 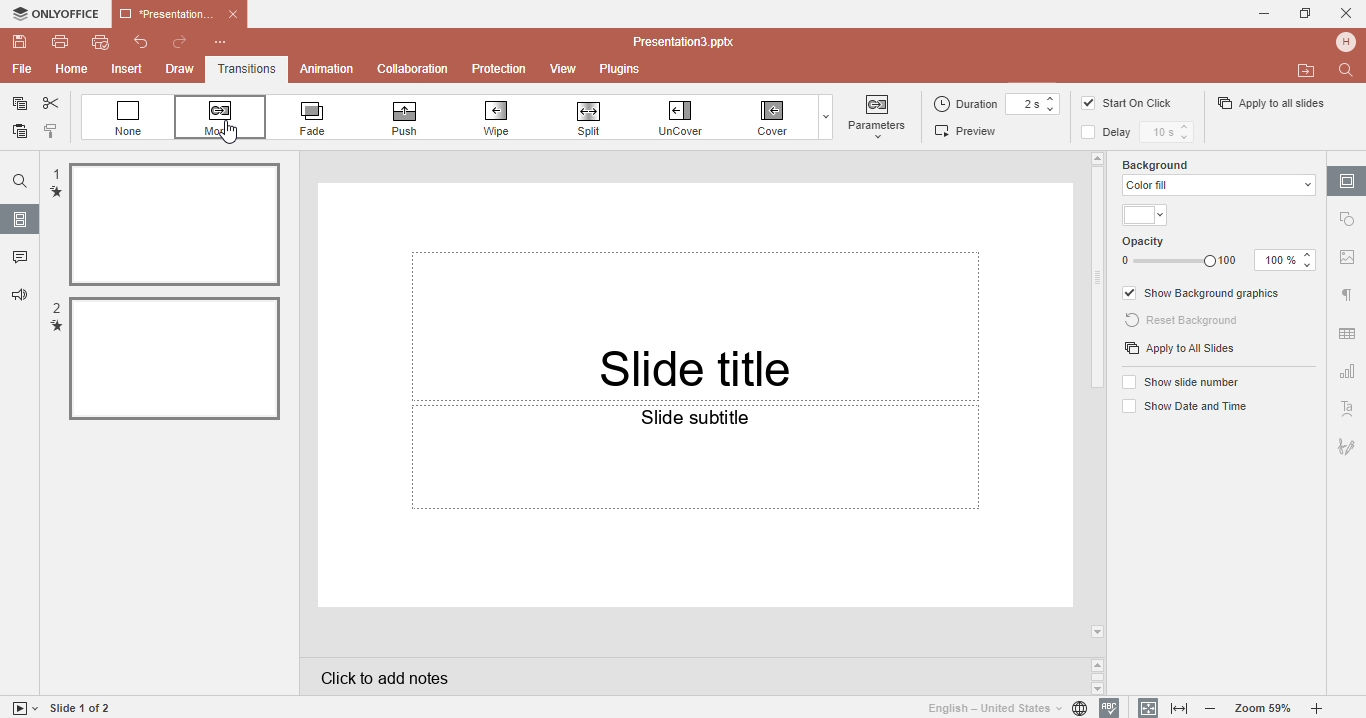 I want to click on Zoom in, so click(x=1321, y=709).